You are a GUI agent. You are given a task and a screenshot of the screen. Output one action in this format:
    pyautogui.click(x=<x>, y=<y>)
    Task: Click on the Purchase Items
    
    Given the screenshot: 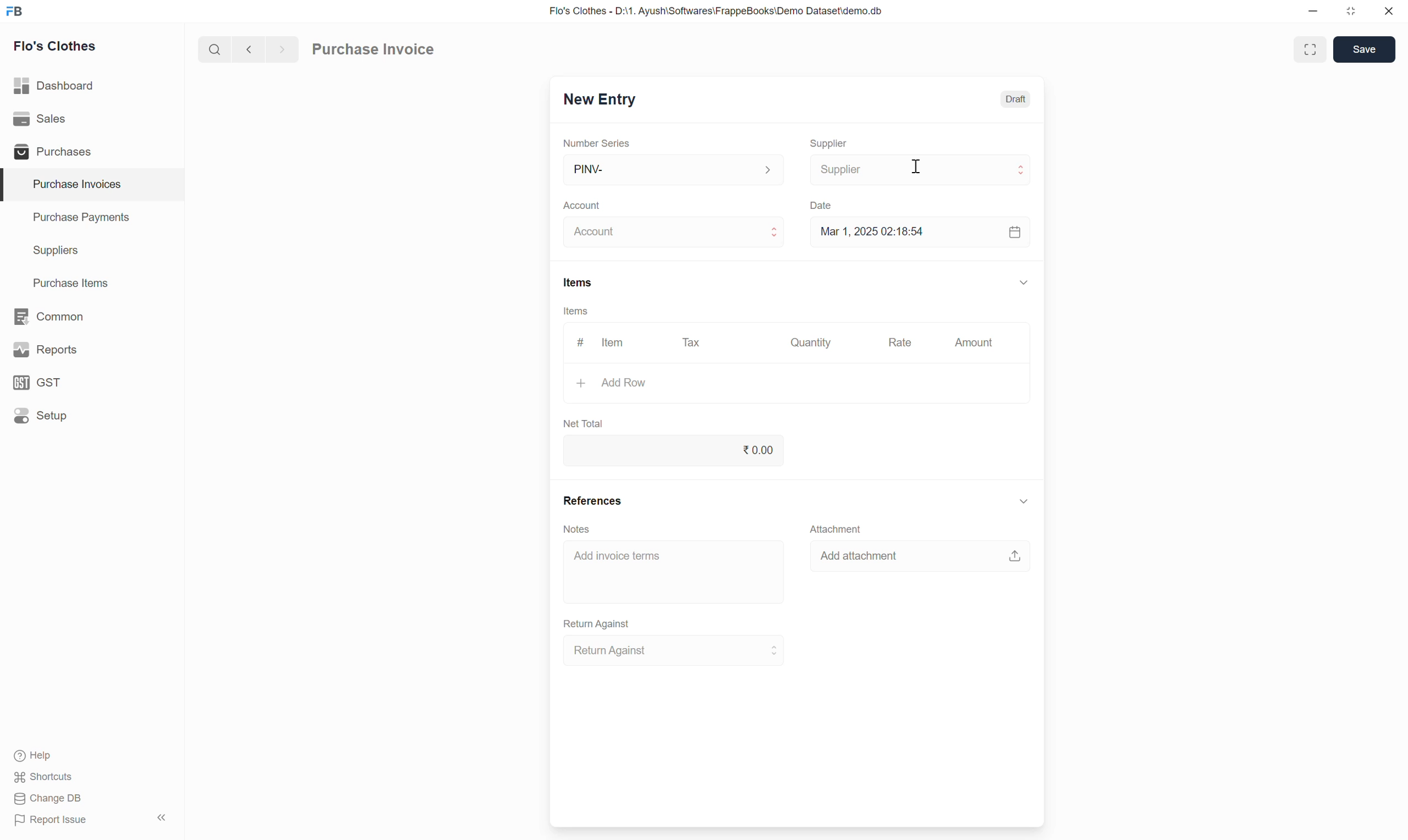 What is the action you would take?
    pyautogui.click(x=92, y=284)
    